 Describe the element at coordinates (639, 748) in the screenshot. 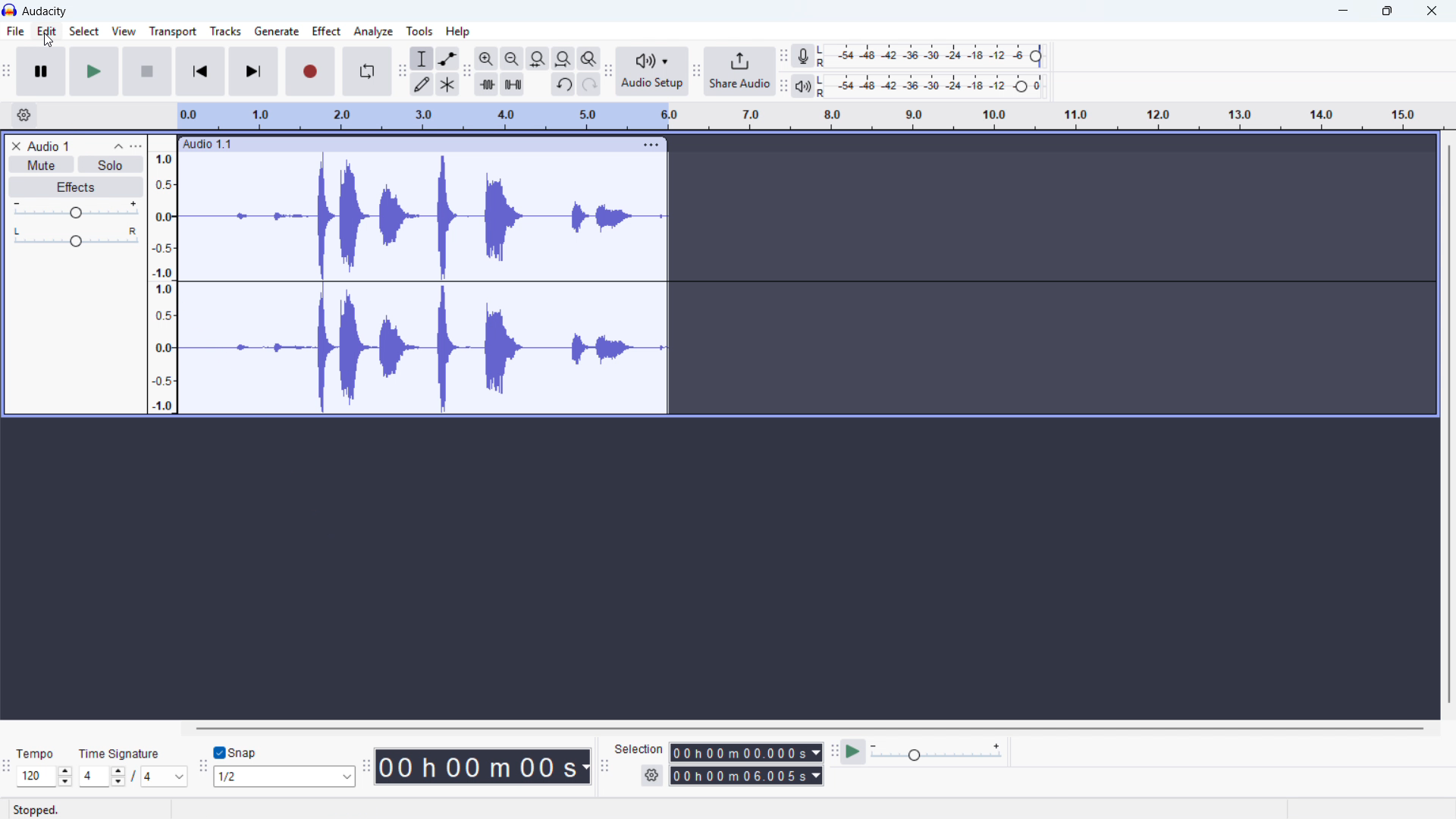

I see `selection` at that location.